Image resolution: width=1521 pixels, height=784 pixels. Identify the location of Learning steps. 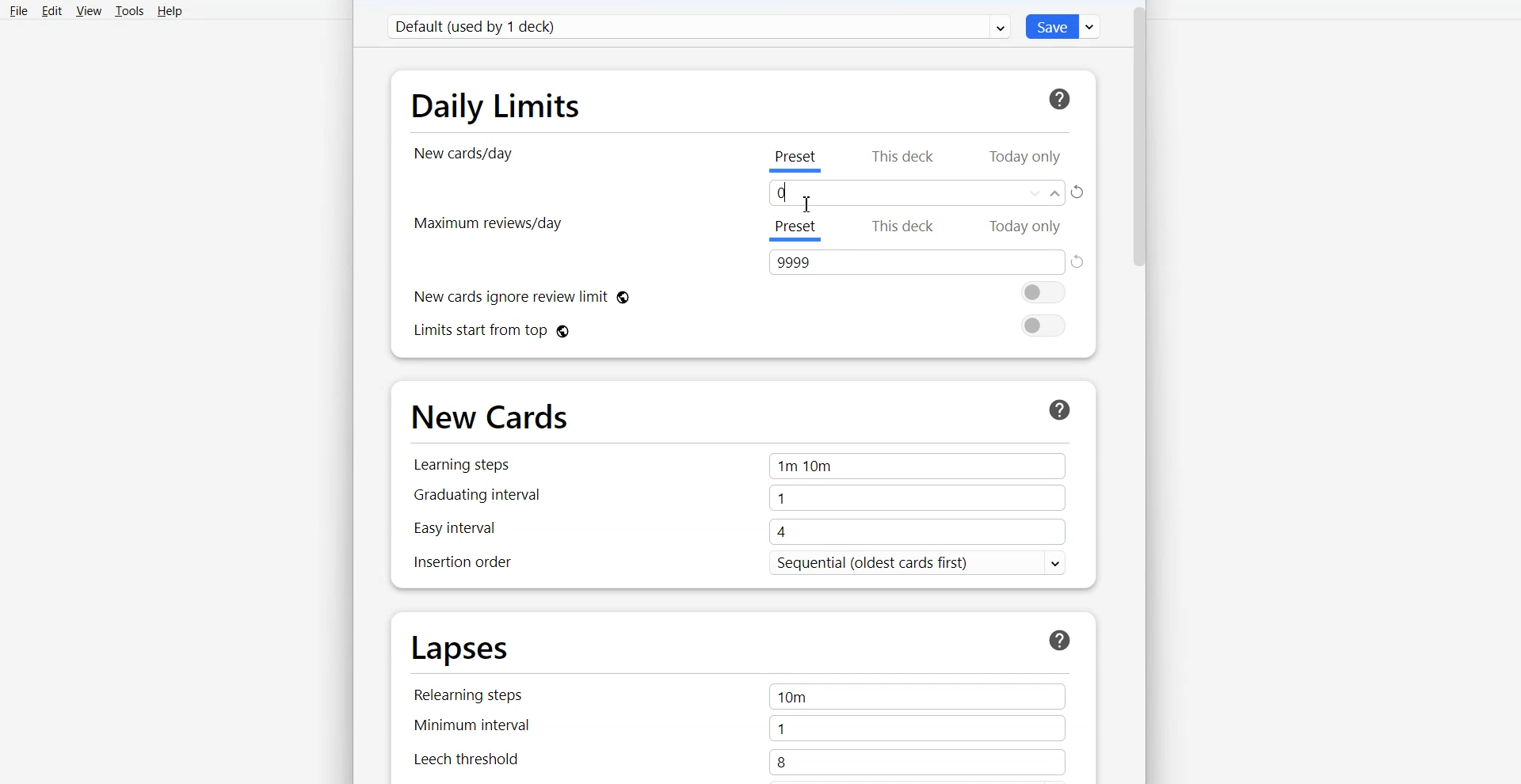
(490, 466).